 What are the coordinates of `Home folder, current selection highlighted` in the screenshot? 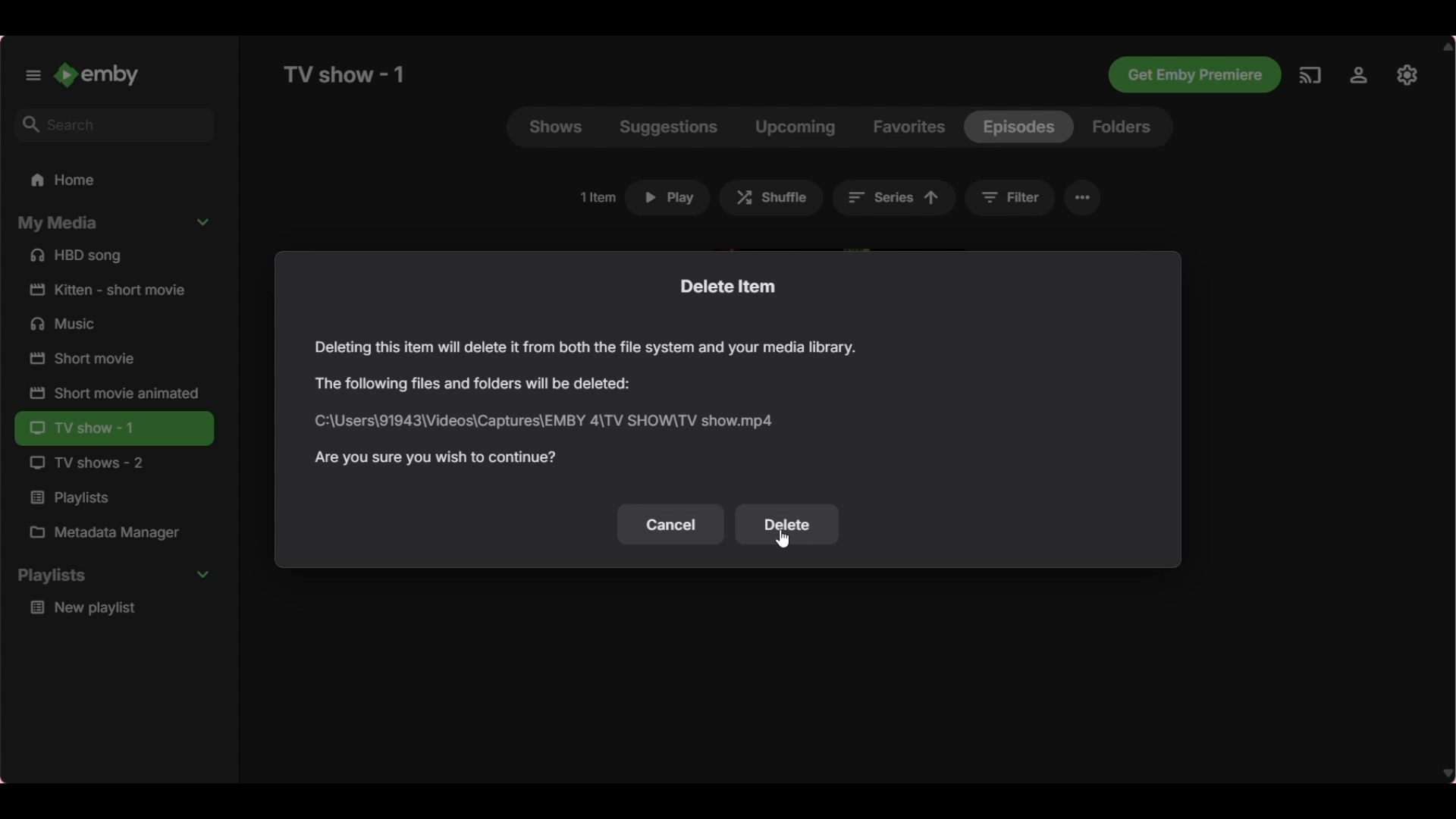 It's located at (114, 180).